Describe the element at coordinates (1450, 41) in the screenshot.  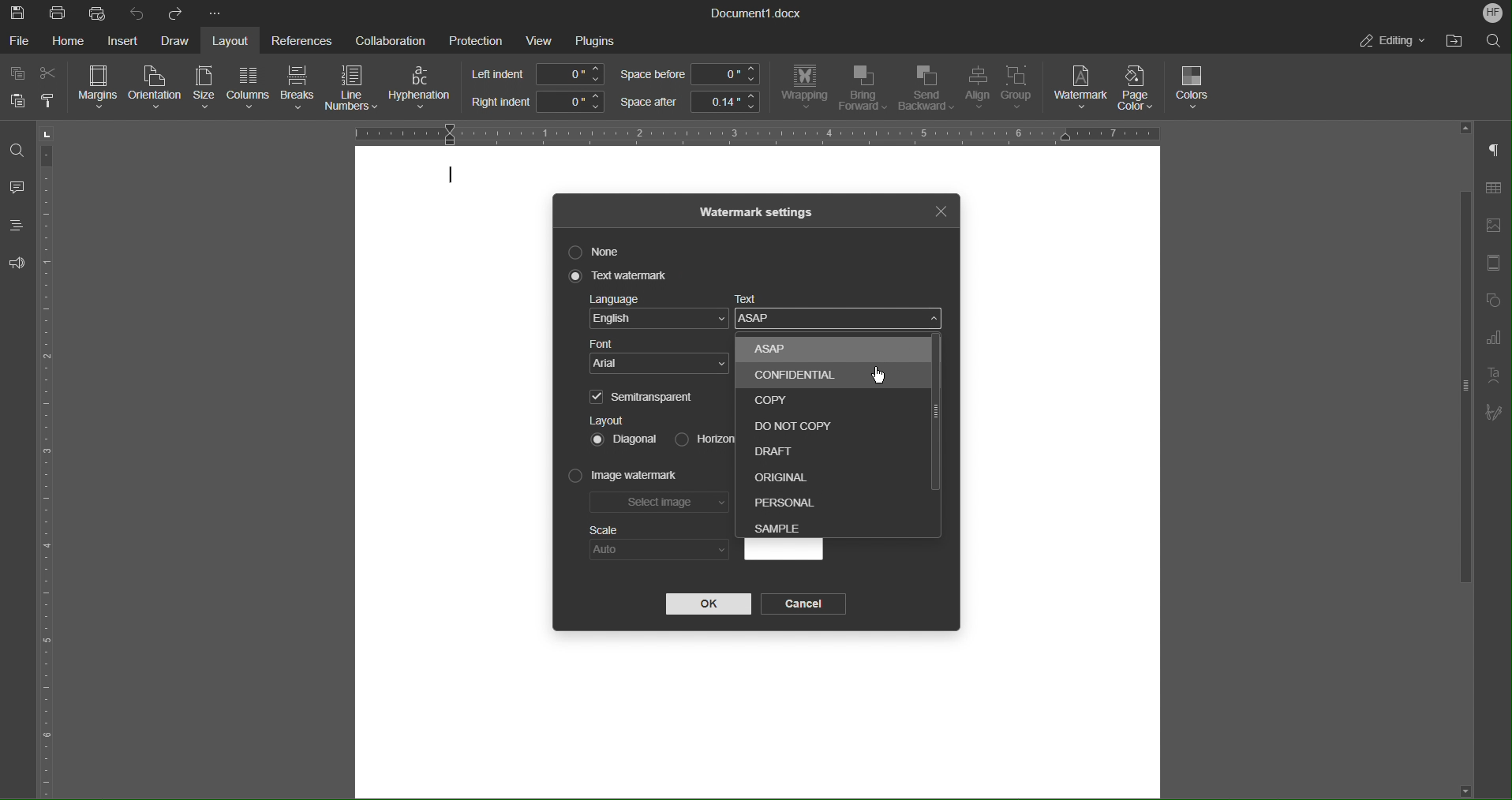
I see `Open File Location` at that location.